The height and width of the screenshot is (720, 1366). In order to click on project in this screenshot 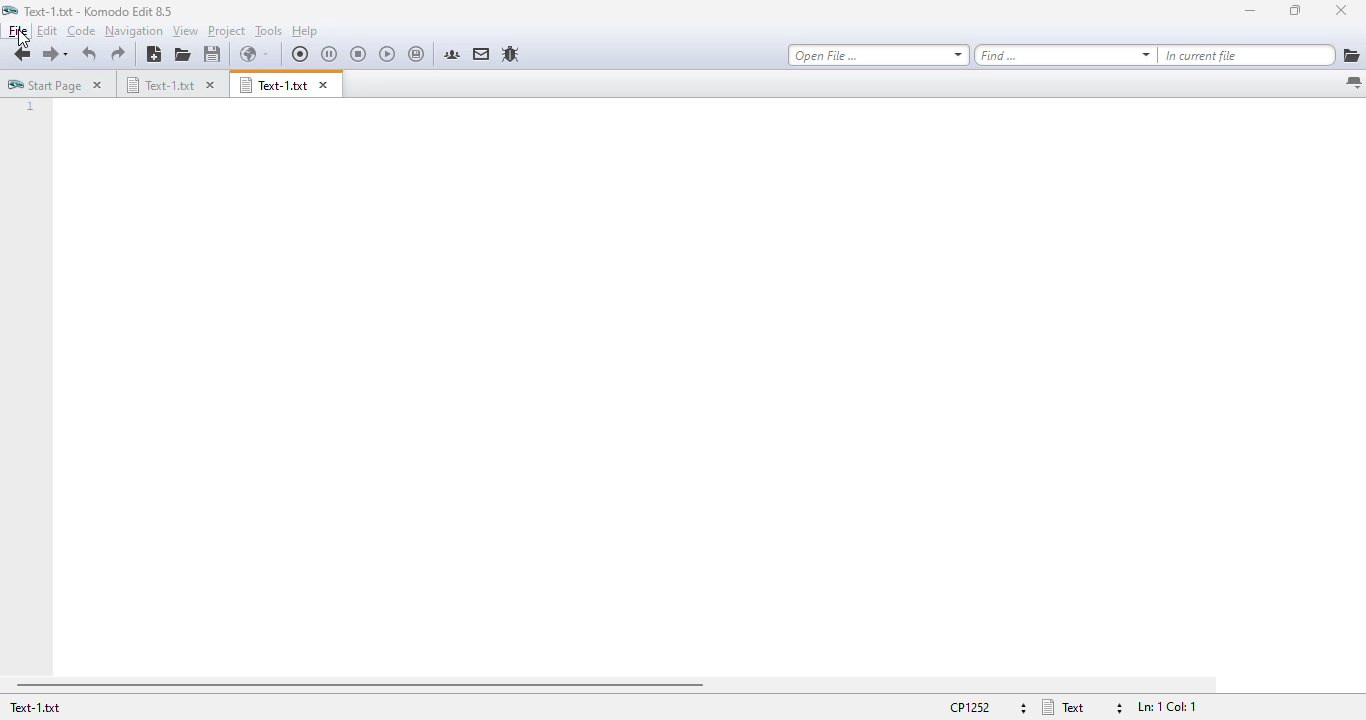, I will do `click(227, 31)`.